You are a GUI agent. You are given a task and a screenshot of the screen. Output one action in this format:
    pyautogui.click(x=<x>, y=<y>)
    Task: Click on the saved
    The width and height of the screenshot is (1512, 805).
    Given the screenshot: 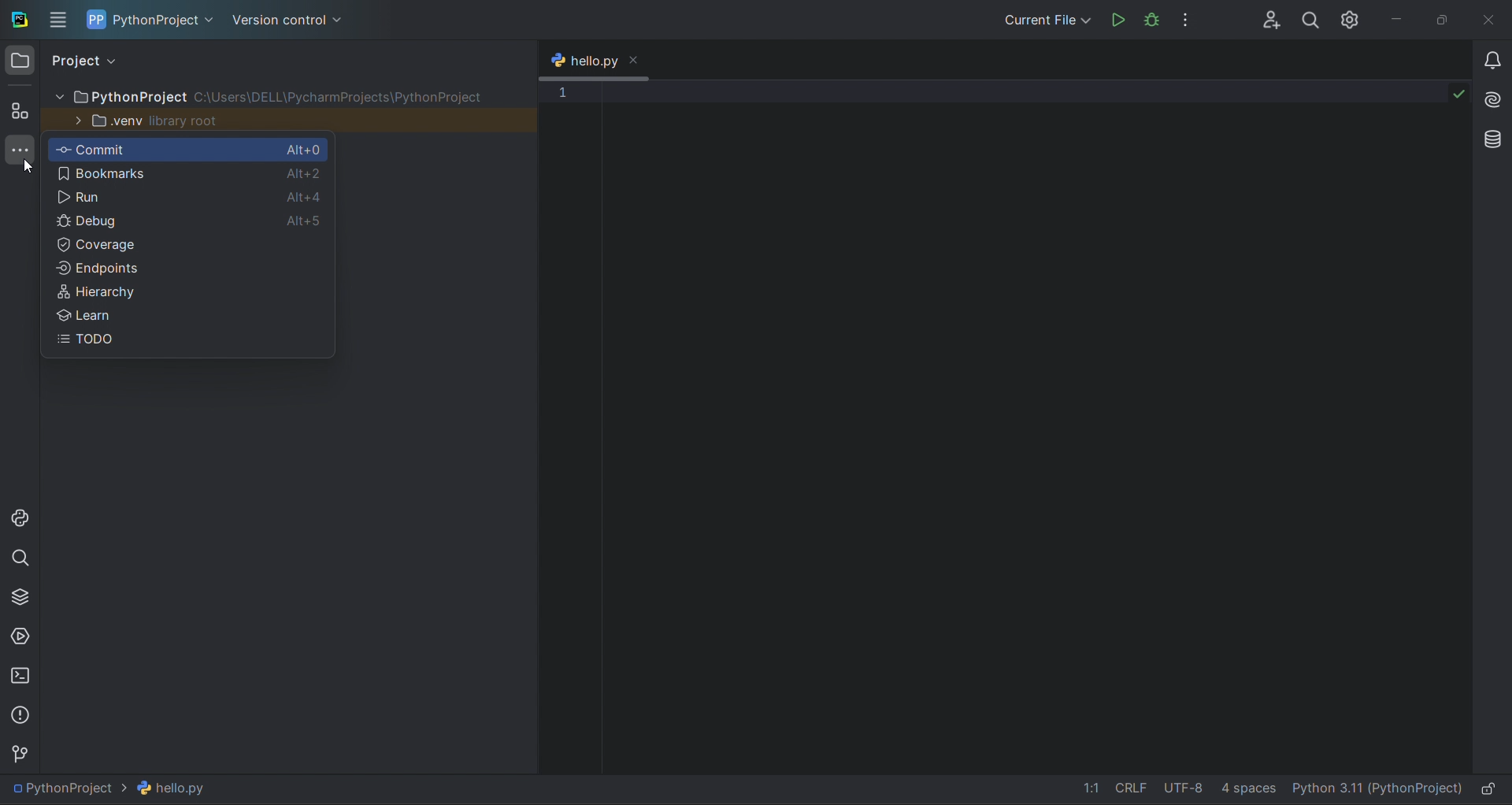 What is the action you would take?
    pyautogui.click(x=1459, y=92)
    